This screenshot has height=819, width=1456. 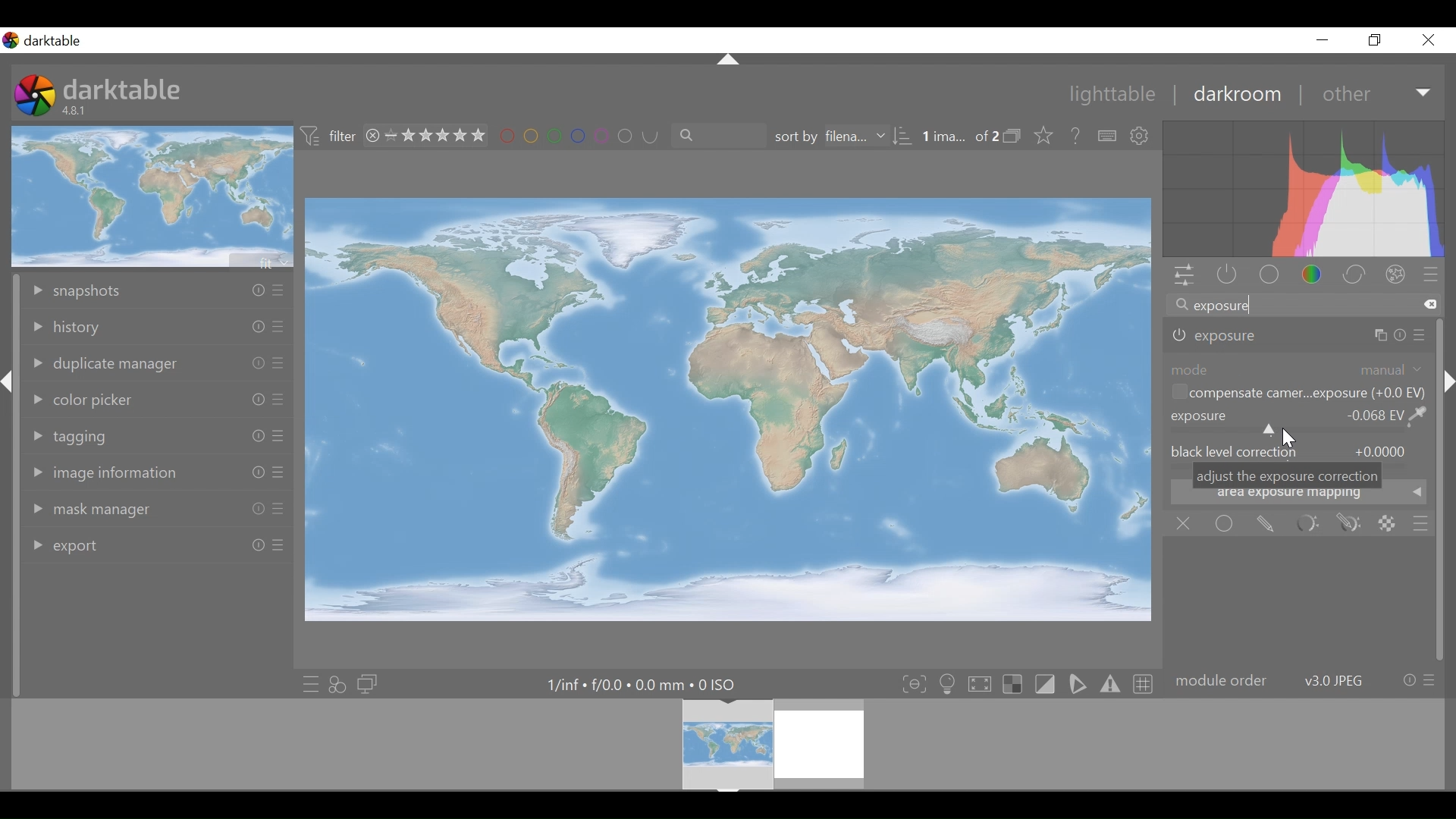 I want to click on quick access presets, so click(x=306, y=683).